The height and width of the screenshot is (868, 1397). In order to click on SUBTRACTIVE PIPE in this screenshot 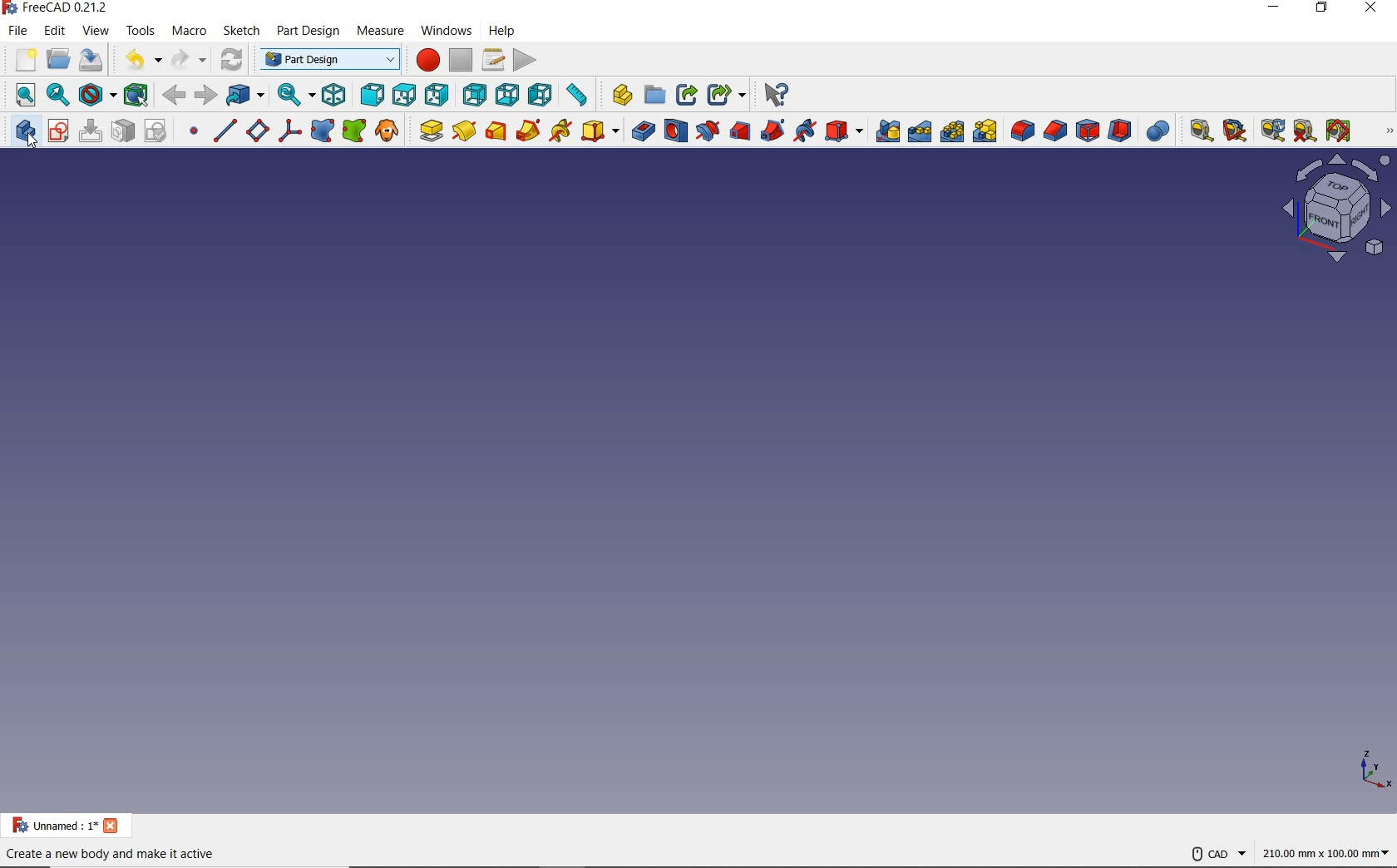, I will do `click(773, 131)`.